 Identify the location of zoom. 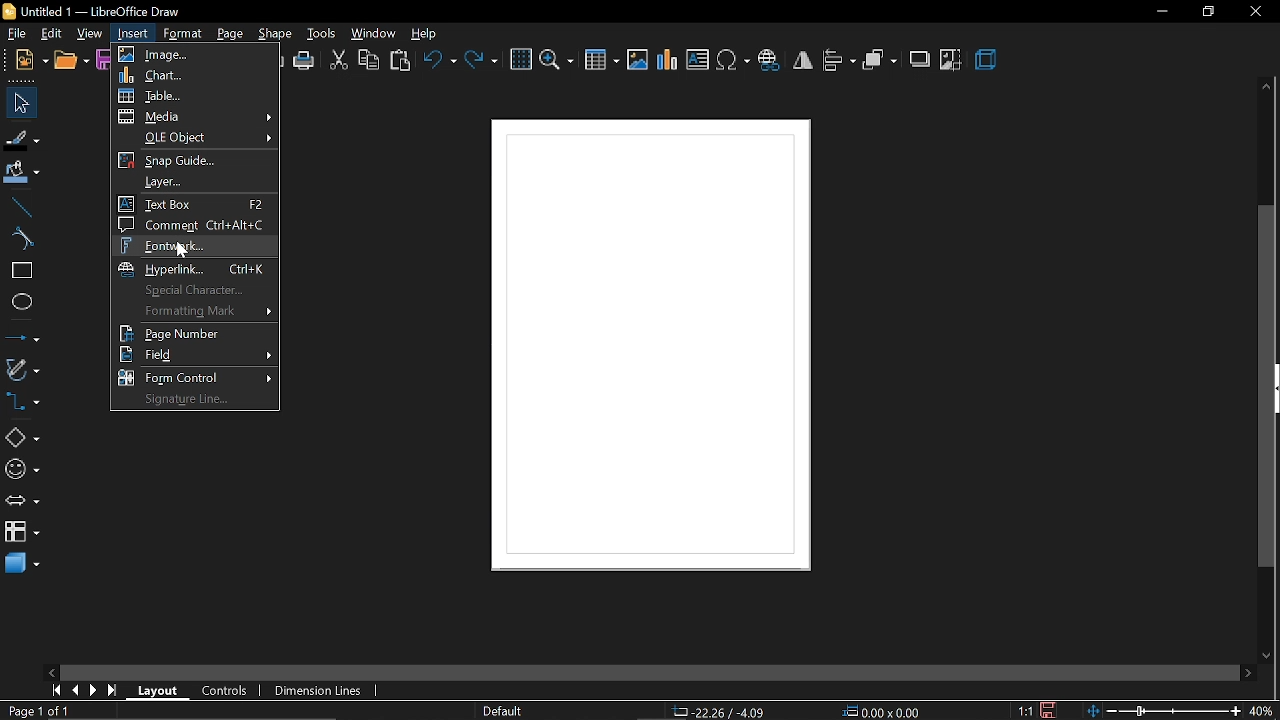
(557, 61).